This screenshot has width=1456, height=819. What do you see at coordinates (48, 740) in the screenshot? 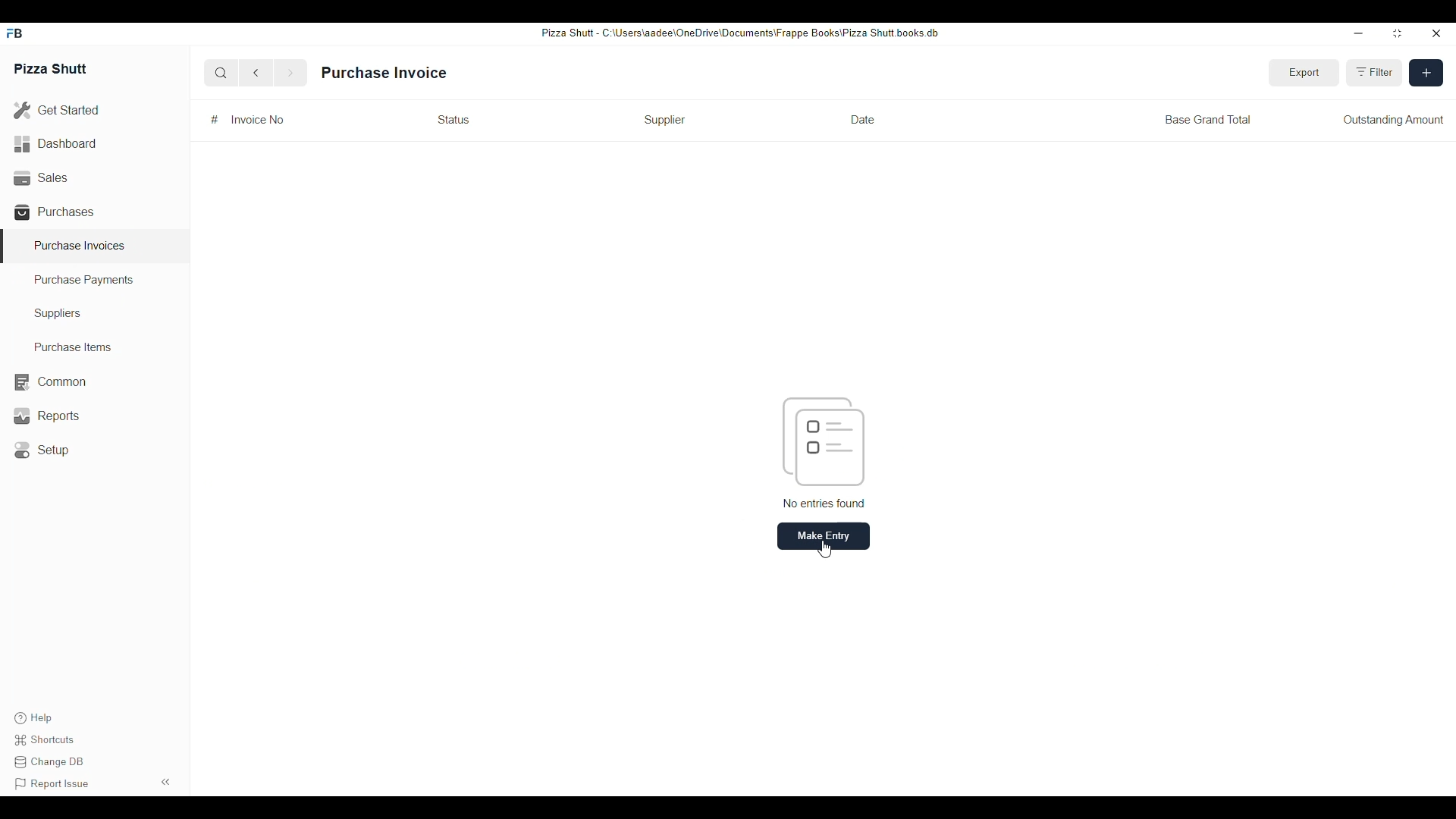
I see `Shortcuts` at bounding box center [48, 740].